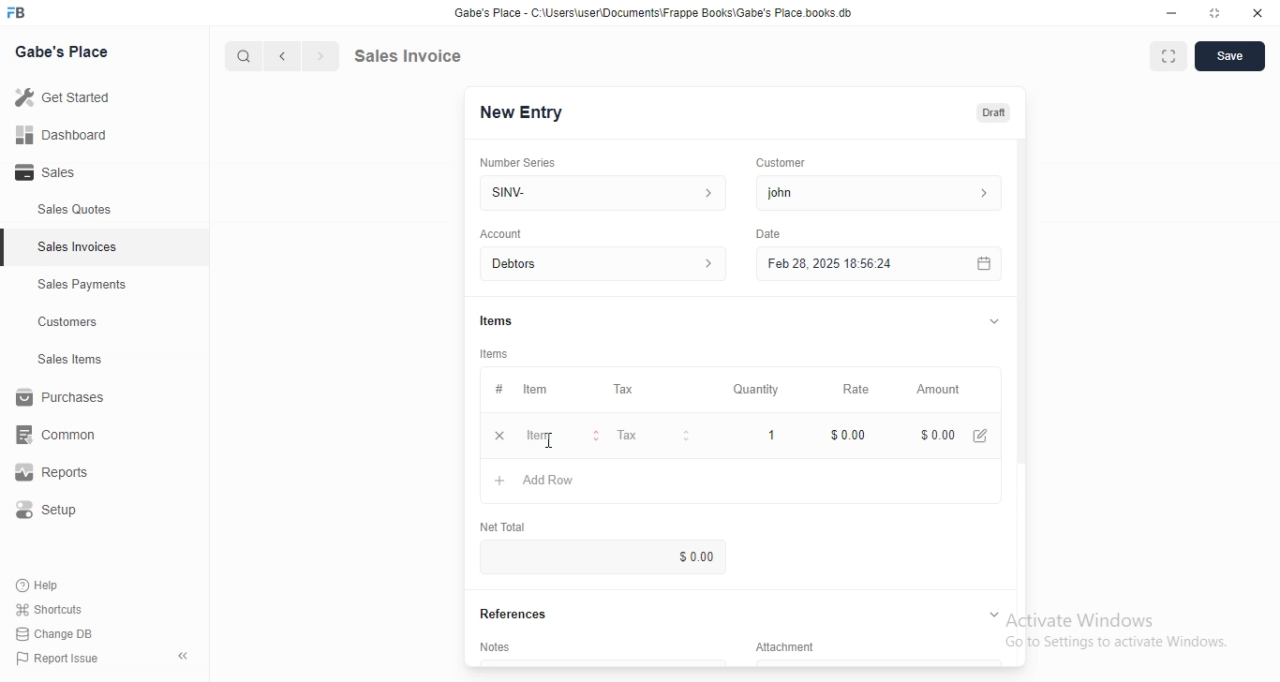 The image size is (1280, 682). Describe the element at coordinates (992, 613) in the screenshot. I see `collapse` at that location.